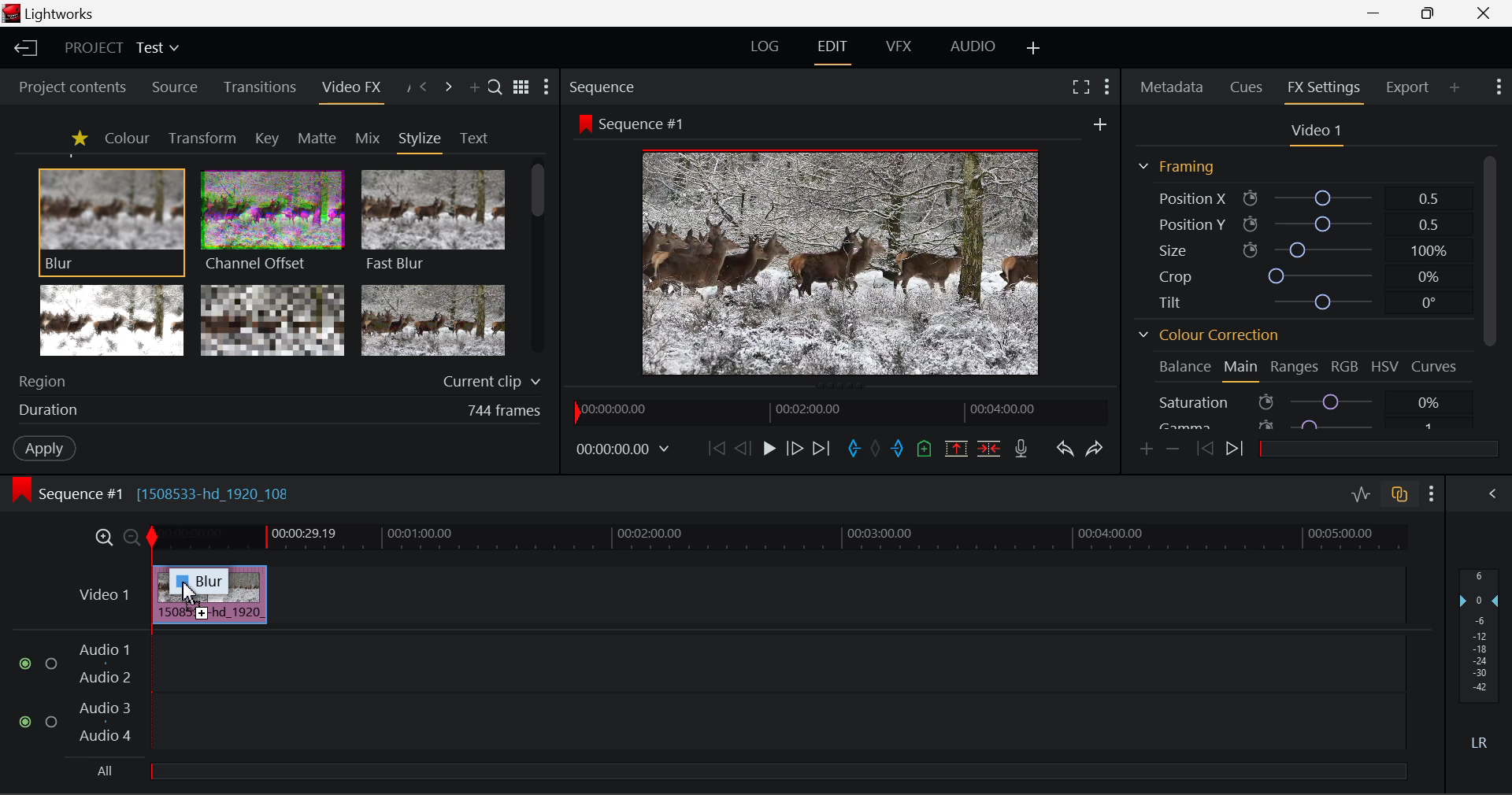 The height and width of the screenshot is (795, 1512). I want to click on Apply, so click(44, 450).